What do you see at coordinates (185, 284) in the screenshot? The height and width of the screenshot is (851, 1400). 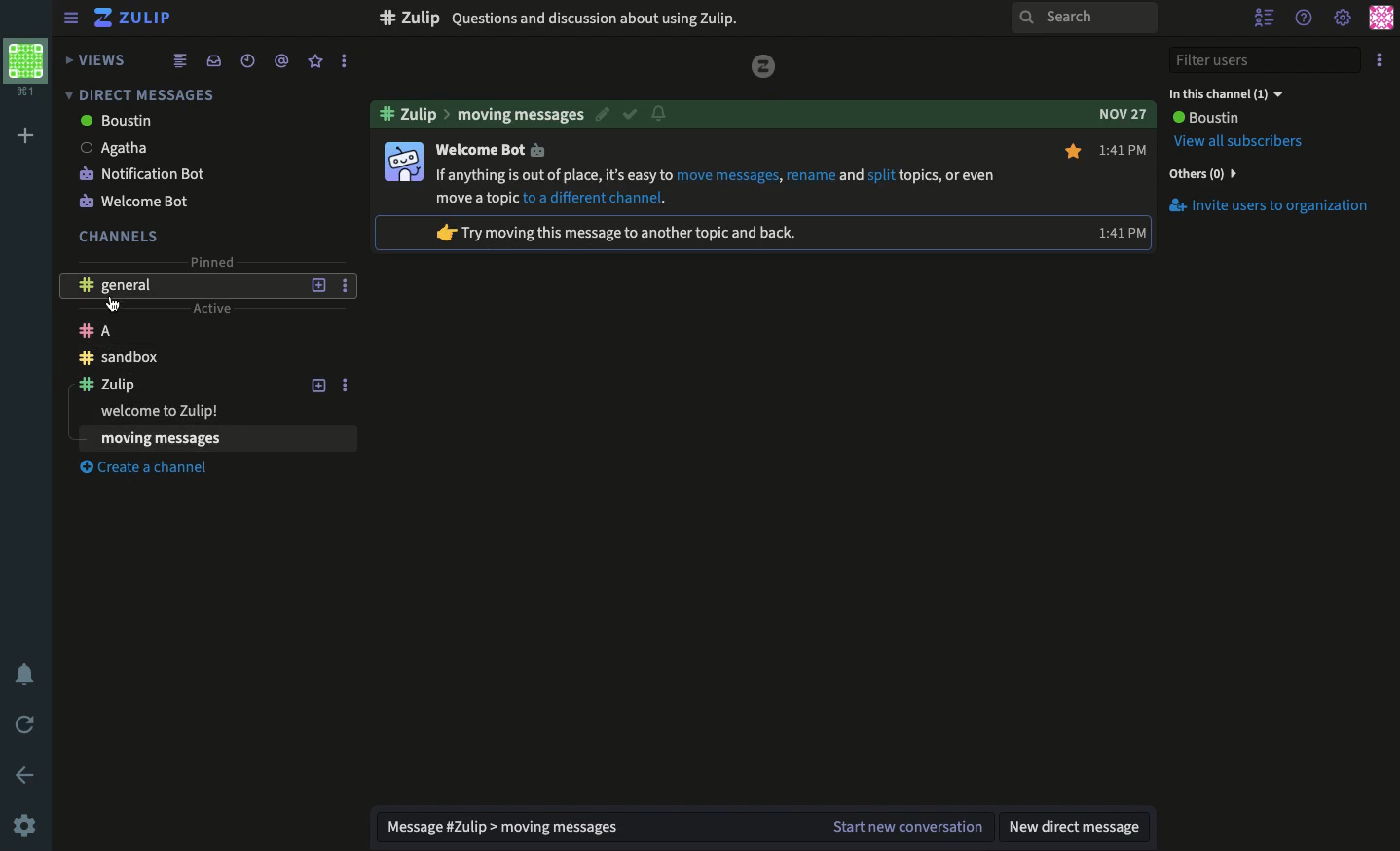 I see `General` at bounding box center [185, 284].